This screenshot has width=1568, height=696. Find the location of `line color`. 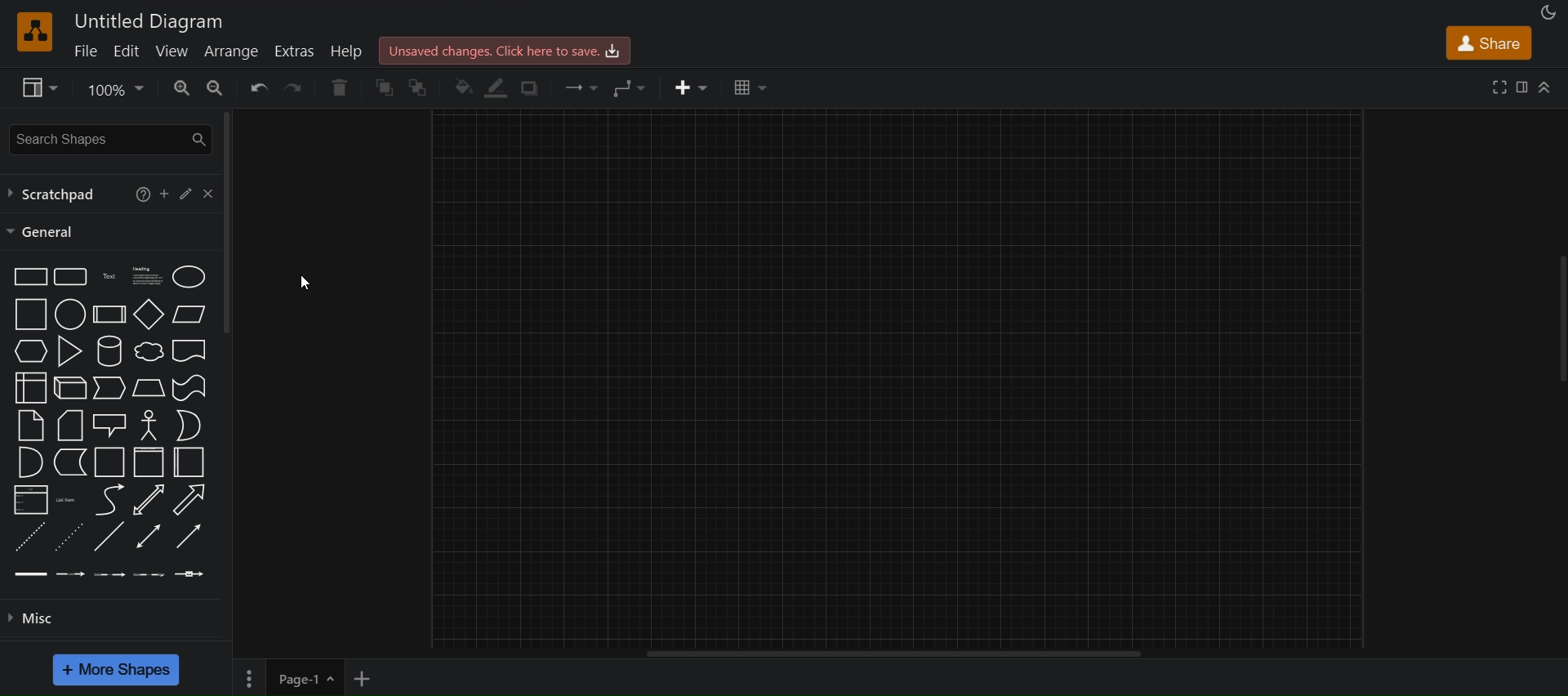

line color is located at coordinates (497, 86).